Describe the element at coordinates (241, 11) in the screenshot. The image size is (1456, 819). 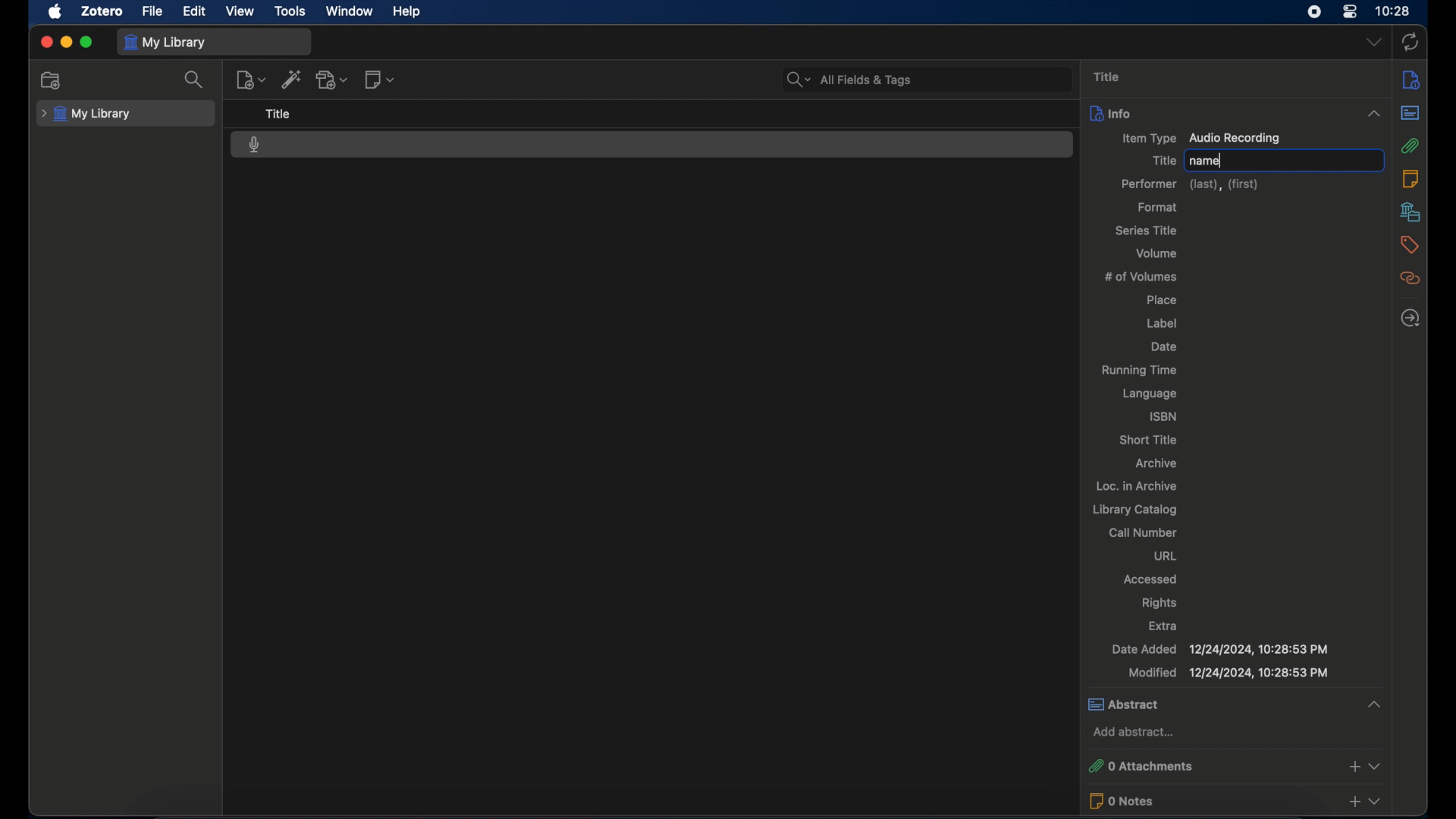
I see `view` at that location.